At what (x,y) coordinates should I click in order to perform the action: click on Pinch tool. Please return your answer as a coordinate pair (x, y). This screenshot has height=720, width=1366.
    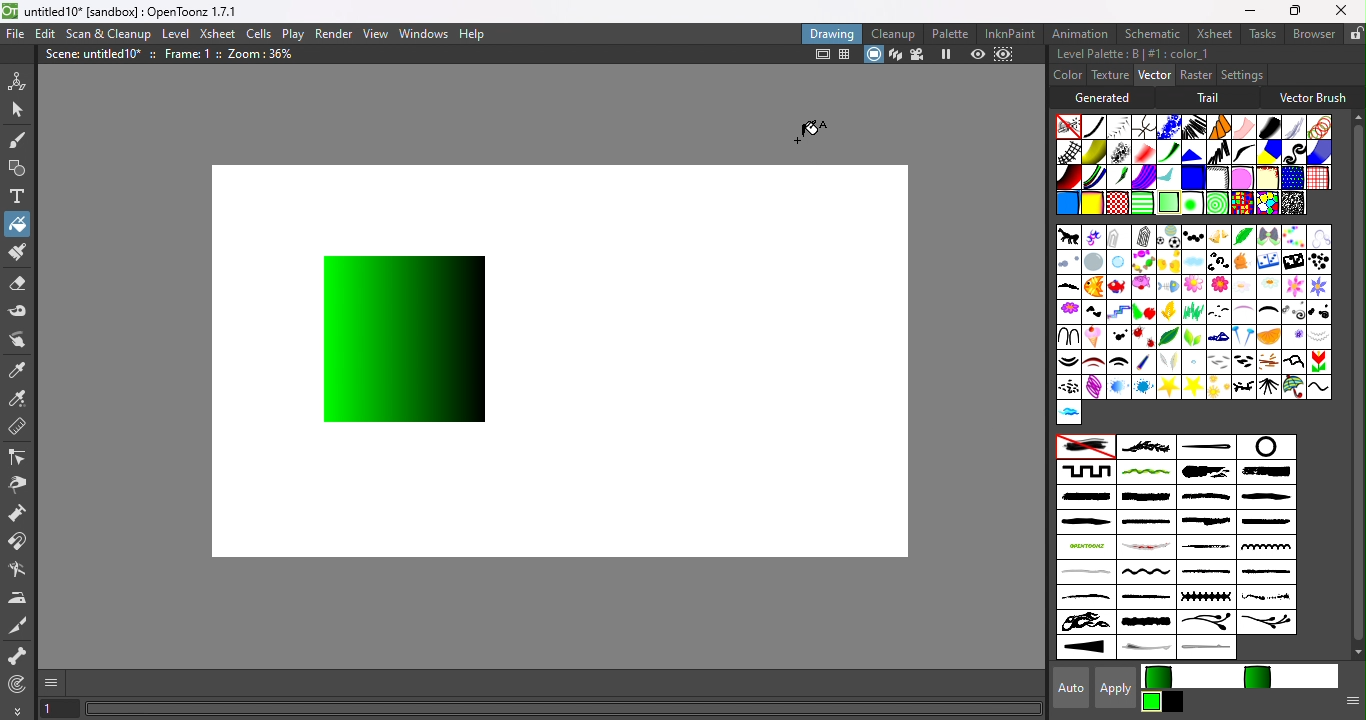
    Looking at the image, I should click on (21, 484).